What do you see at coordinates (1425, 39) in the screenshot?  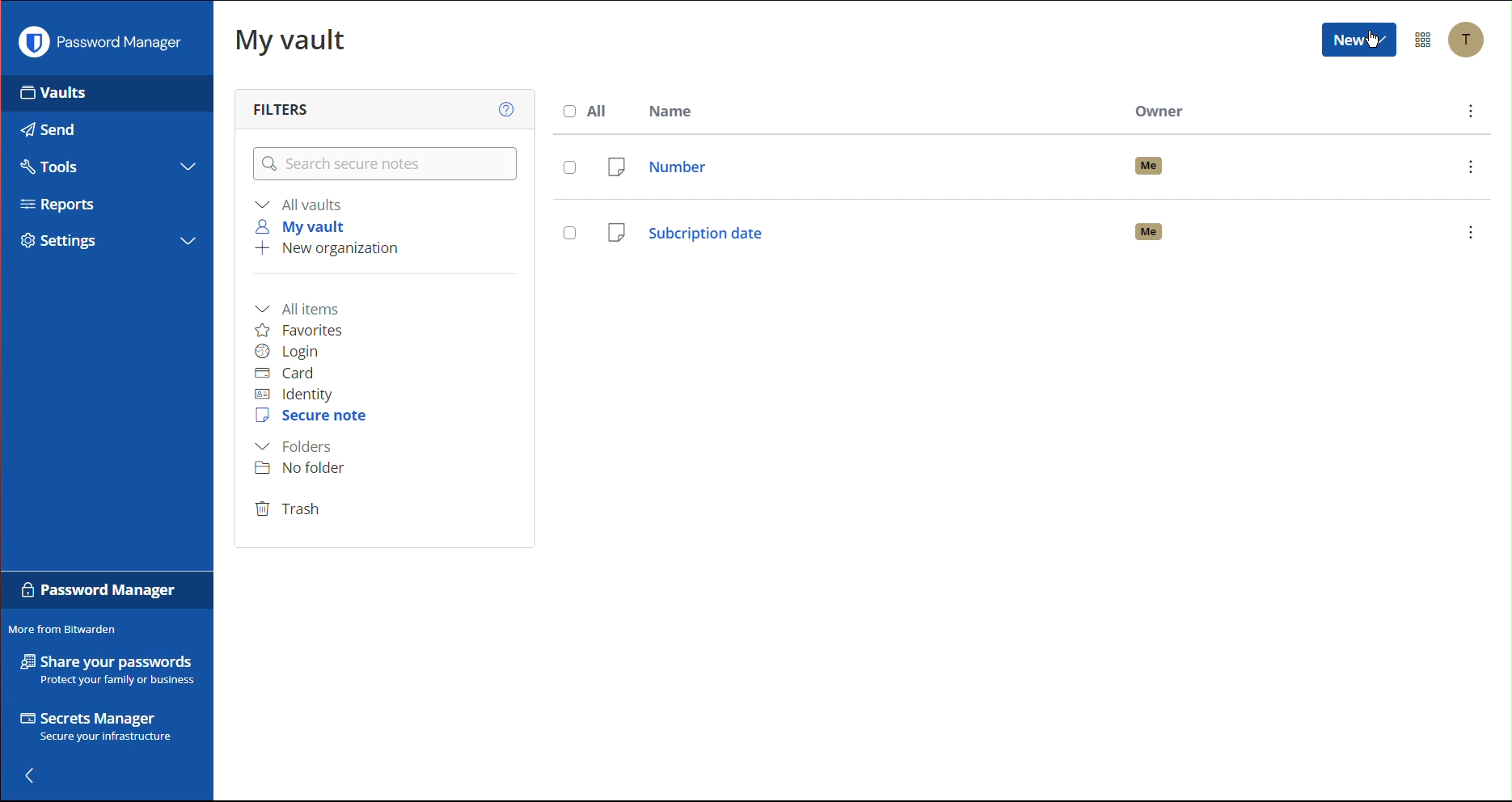 I see `Options` at bounding box center [1425, 39].